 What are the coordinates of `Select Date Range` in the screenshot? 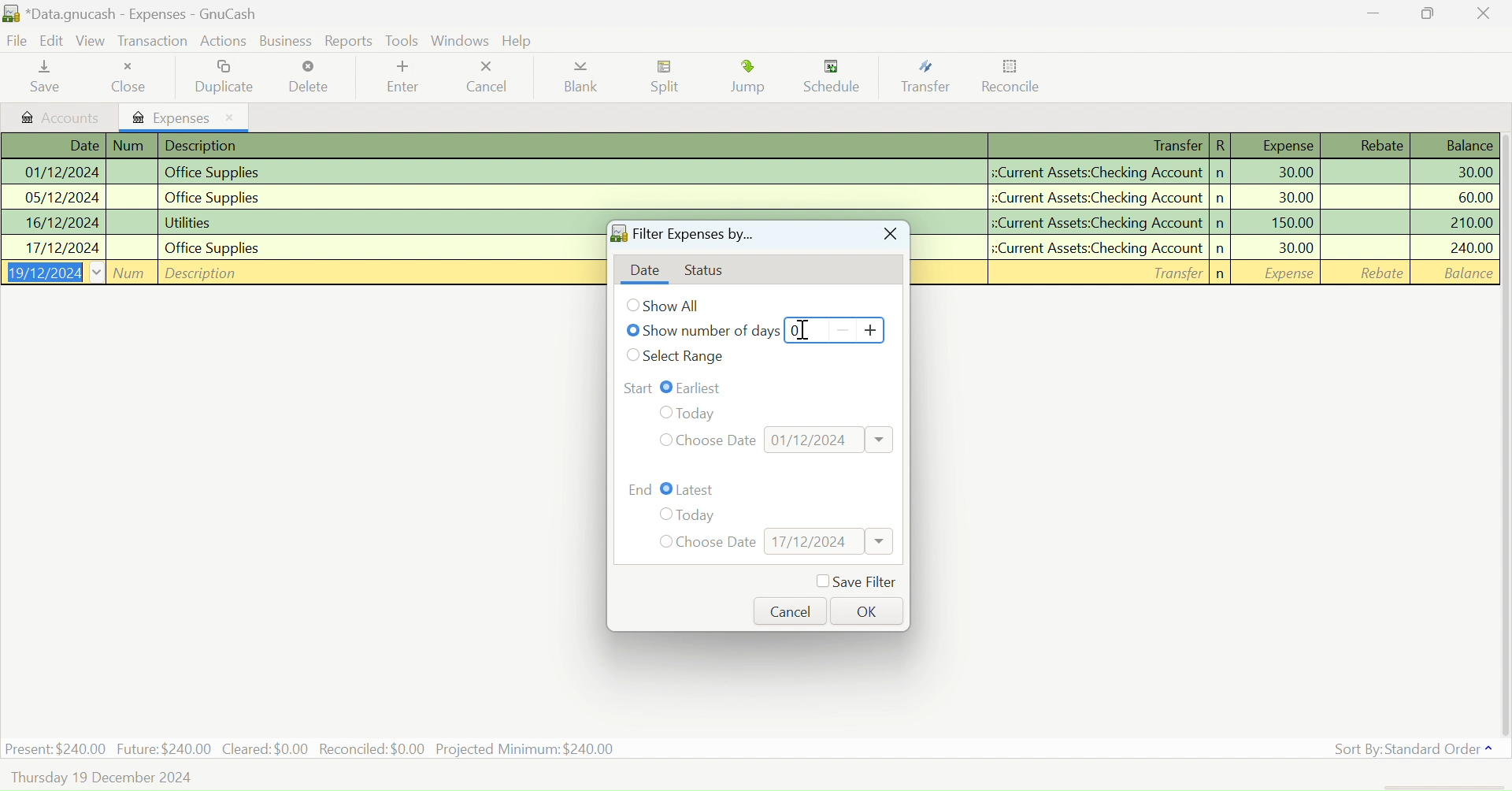 It's located at (687, 357).